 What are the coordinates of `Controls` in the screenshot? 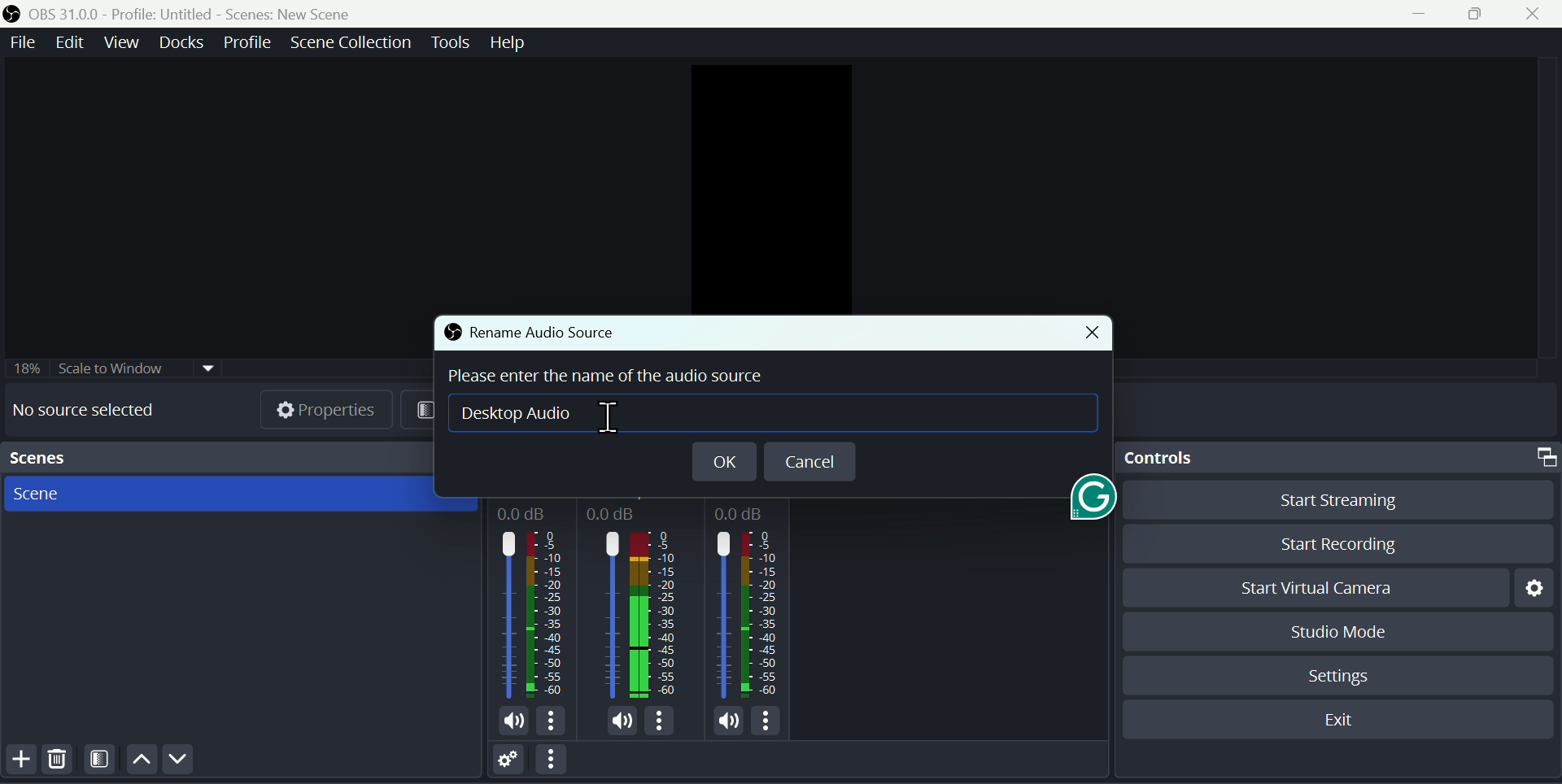 It's located at (1338, 459).